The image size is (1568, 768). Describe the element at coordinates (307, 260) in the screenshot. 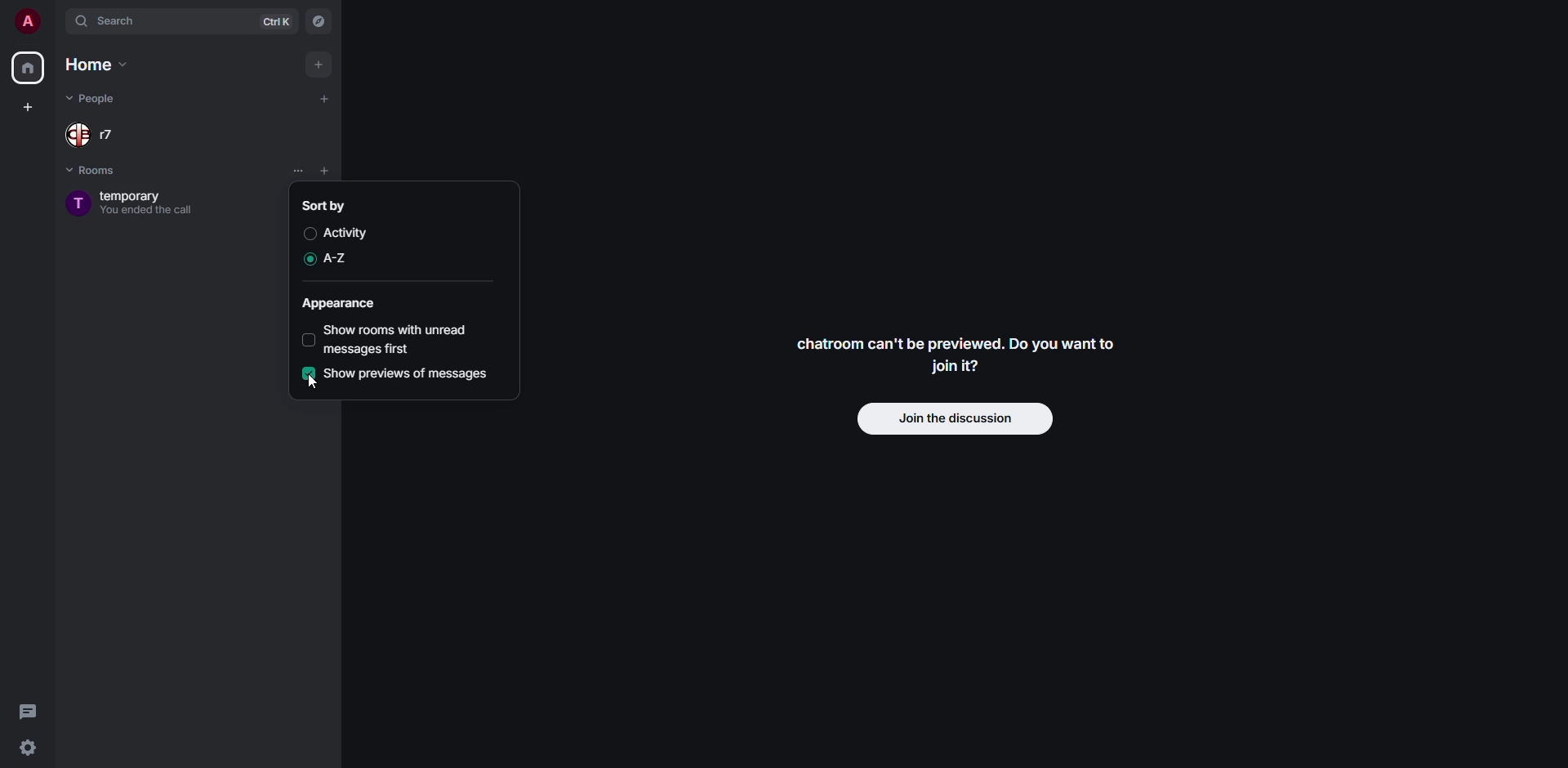

I see `enabled` at that location.